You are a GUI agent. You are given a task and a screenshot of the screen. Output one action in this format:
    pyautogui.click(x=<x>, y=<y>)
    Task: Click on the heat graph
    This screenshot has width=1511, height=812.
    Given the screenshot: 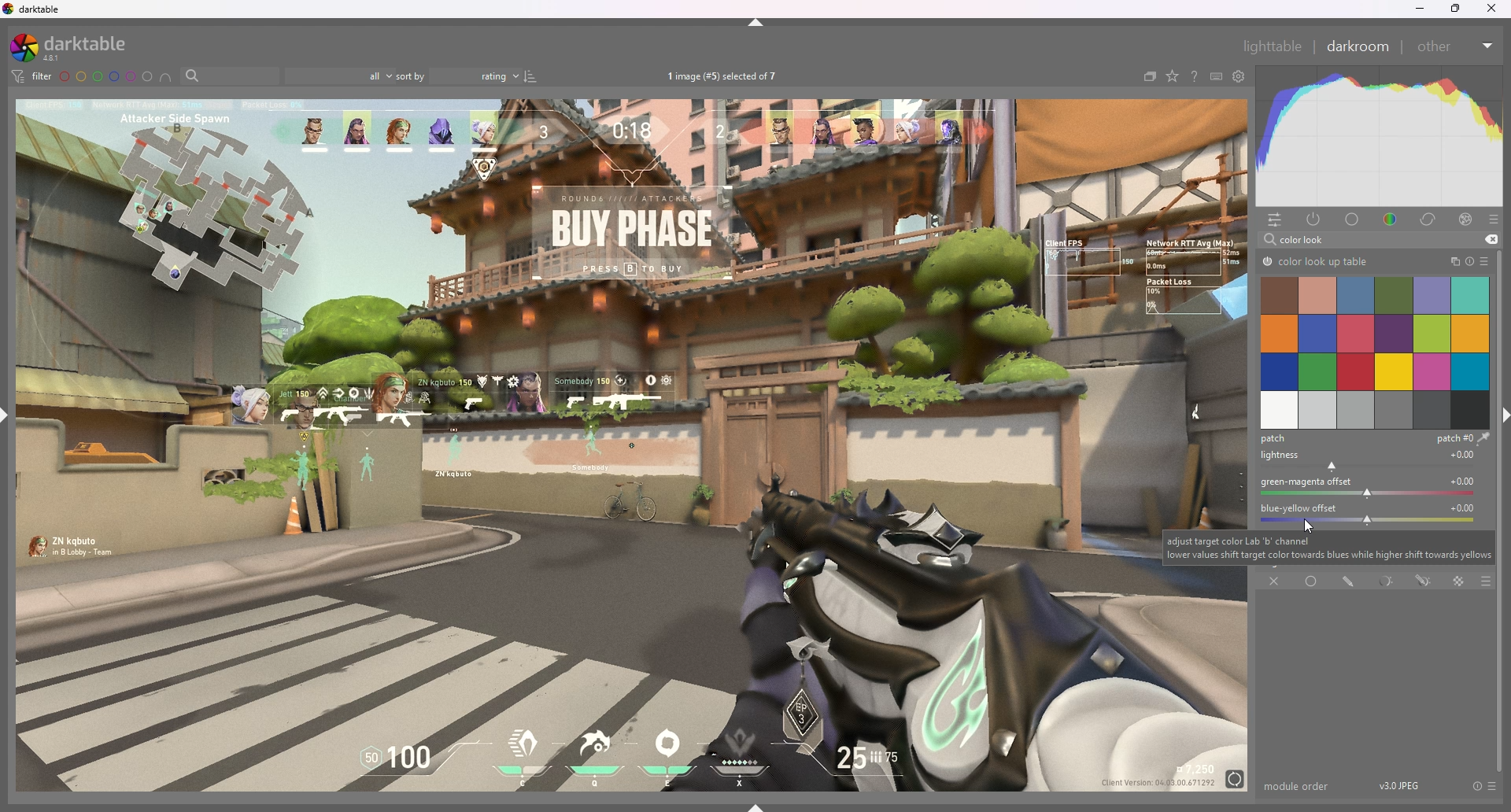 What is the action you would take?
    pyautogui.click(x=1379, y=136)
    